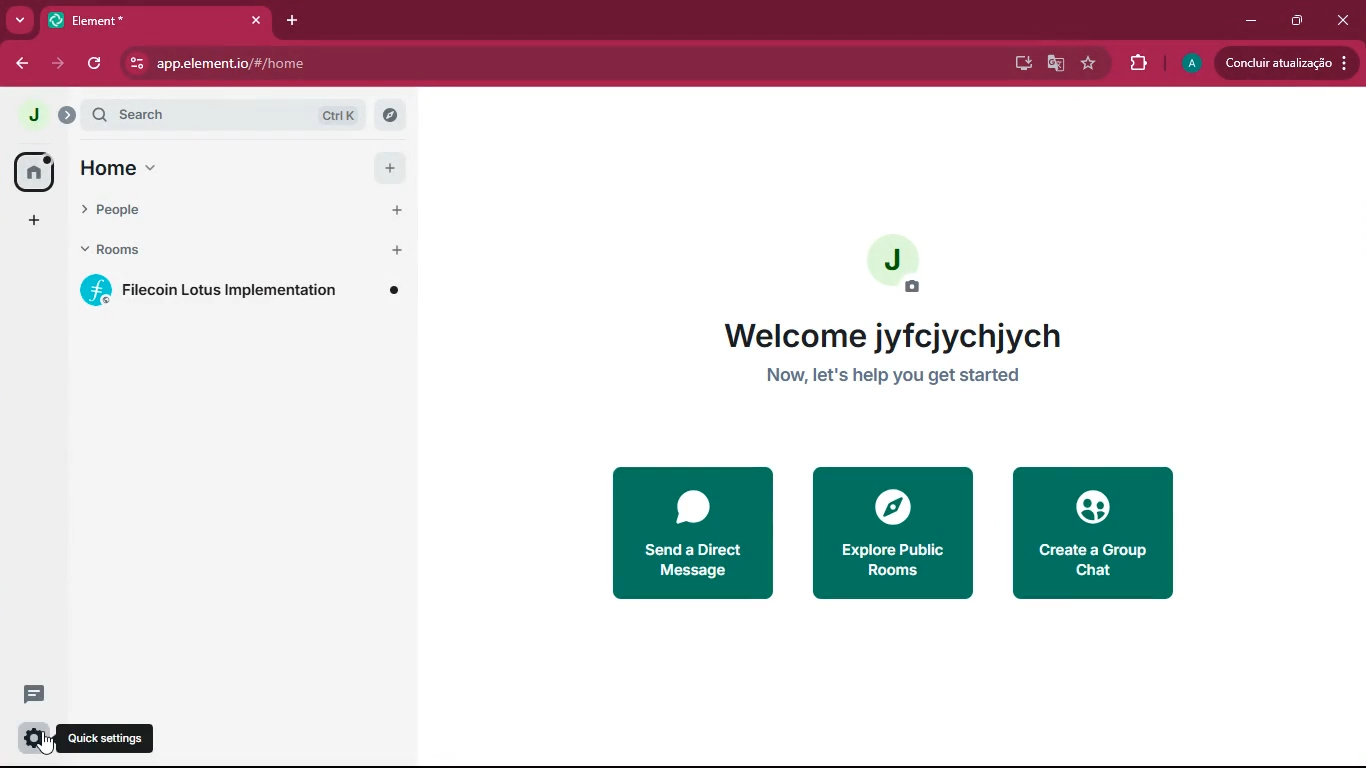 The height and width of the screenshot is (768, 1366). I want to click on Concluir atualização, so click(1283, 61).